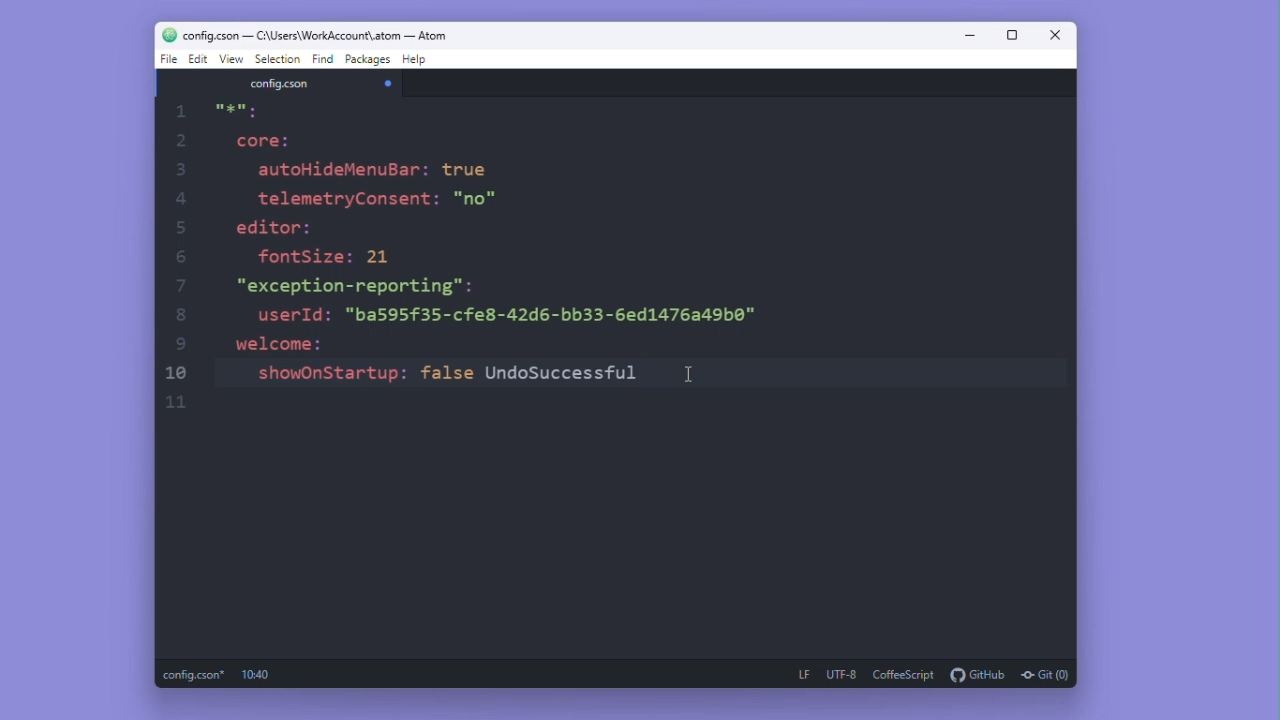  Describe the element at coordinates (317, 35) in the screenshot. I see `configcson - C :\users\workaccount\atom-atom` at that location.